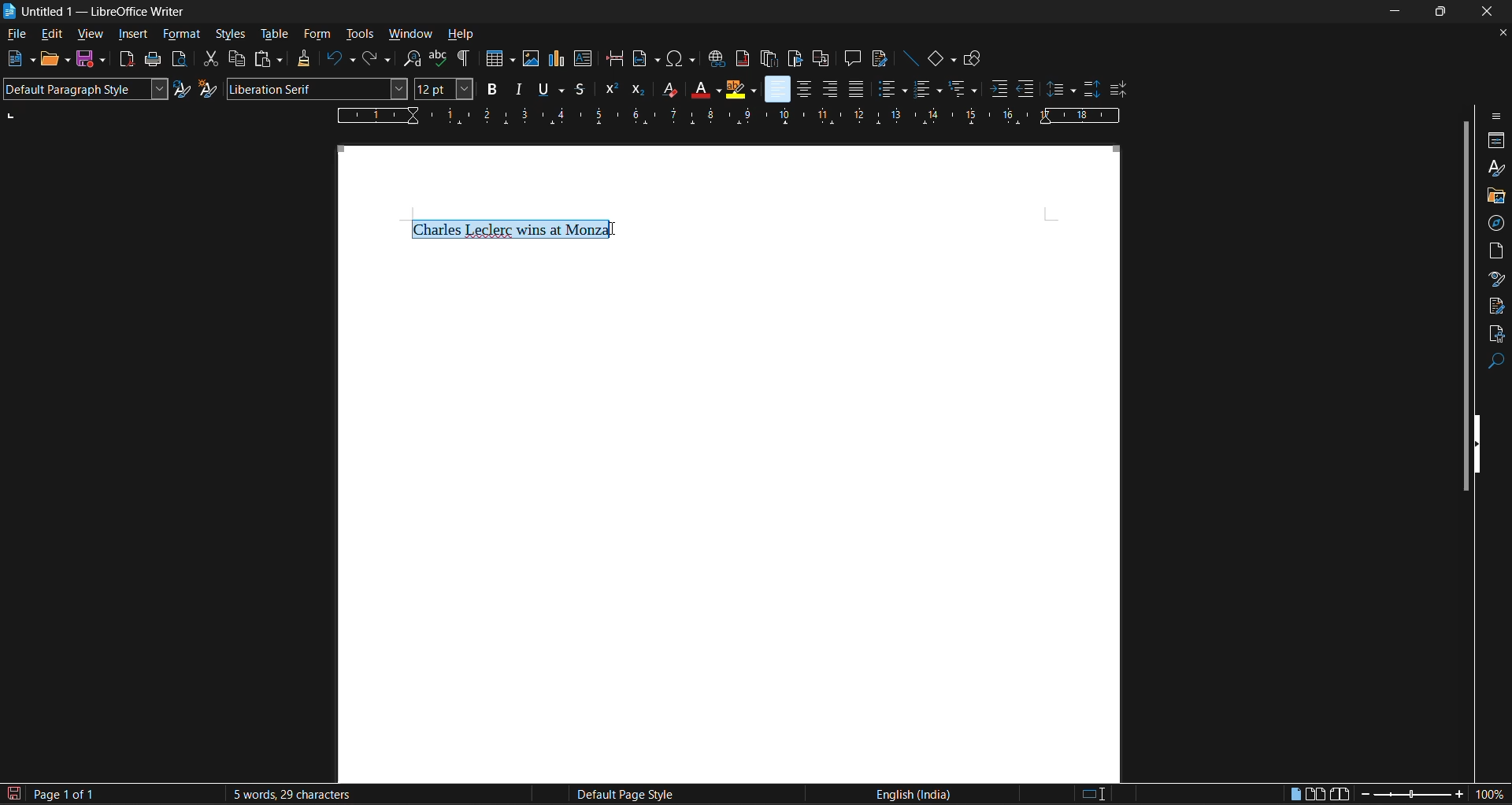 The width and height of the screenshot is (1512, 805). What do you see at coordinates (463, 60) in the screenshot?
I see `toggle formatting marks` at bounding box center [463, 60].